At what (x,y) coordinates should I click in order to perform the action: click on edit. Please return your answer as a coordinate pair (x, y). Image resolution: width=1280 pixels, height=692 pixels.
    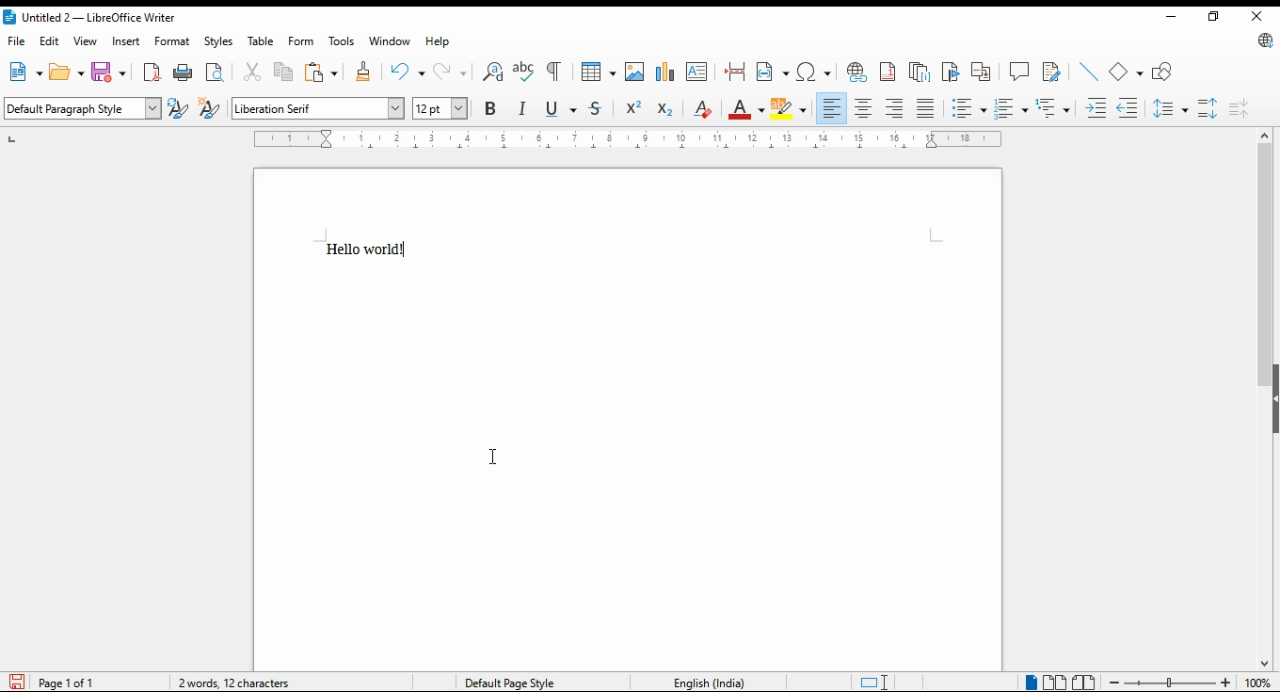
    Looking at the image, I should click on (49, 41).